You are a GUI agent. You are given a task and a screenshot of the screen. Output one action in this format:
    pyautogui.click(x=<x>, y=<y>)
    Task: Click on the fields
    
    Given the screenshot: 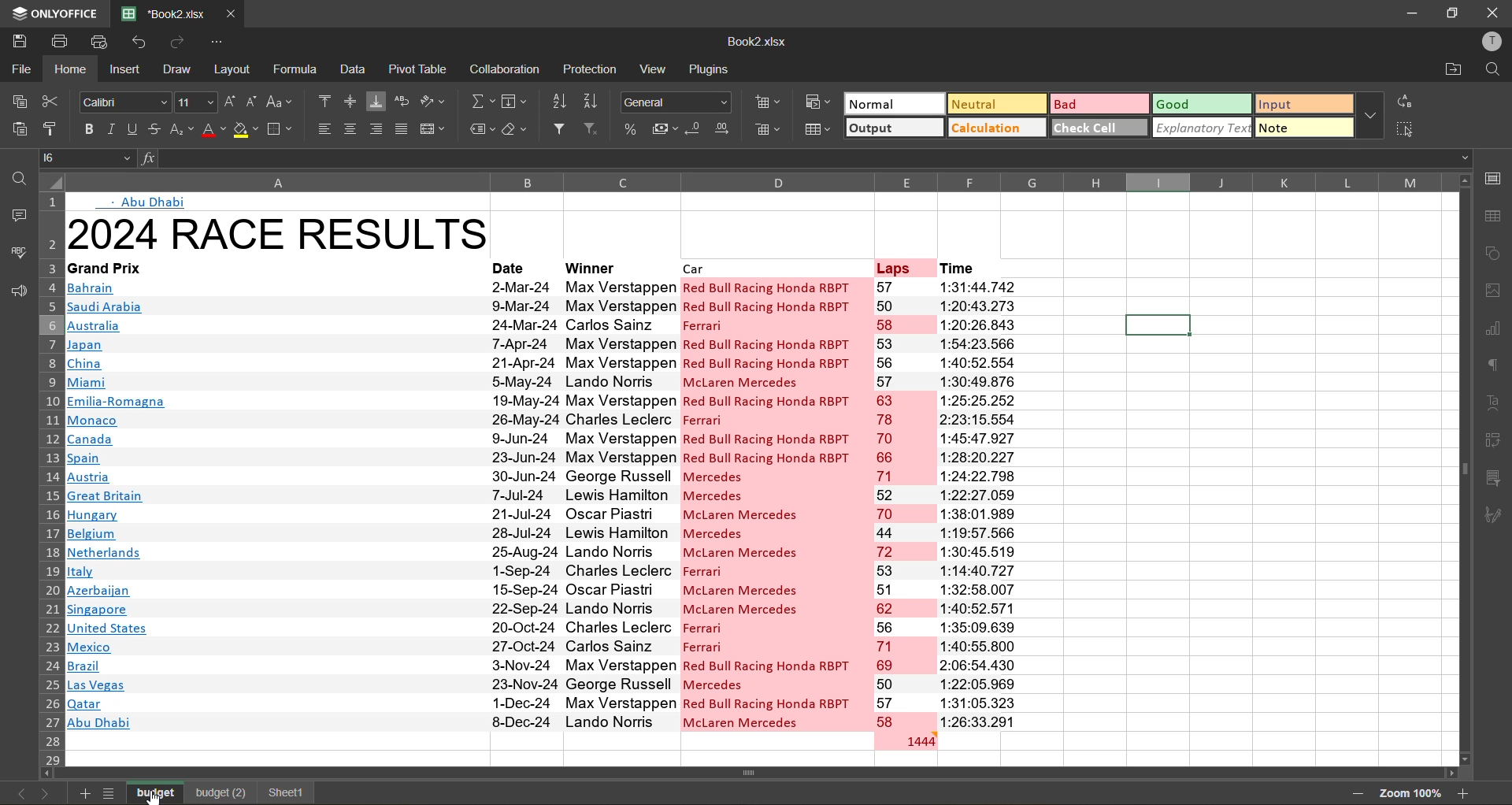 What is the action you would take?
    pyautogui.click(x=515, y=102)
    